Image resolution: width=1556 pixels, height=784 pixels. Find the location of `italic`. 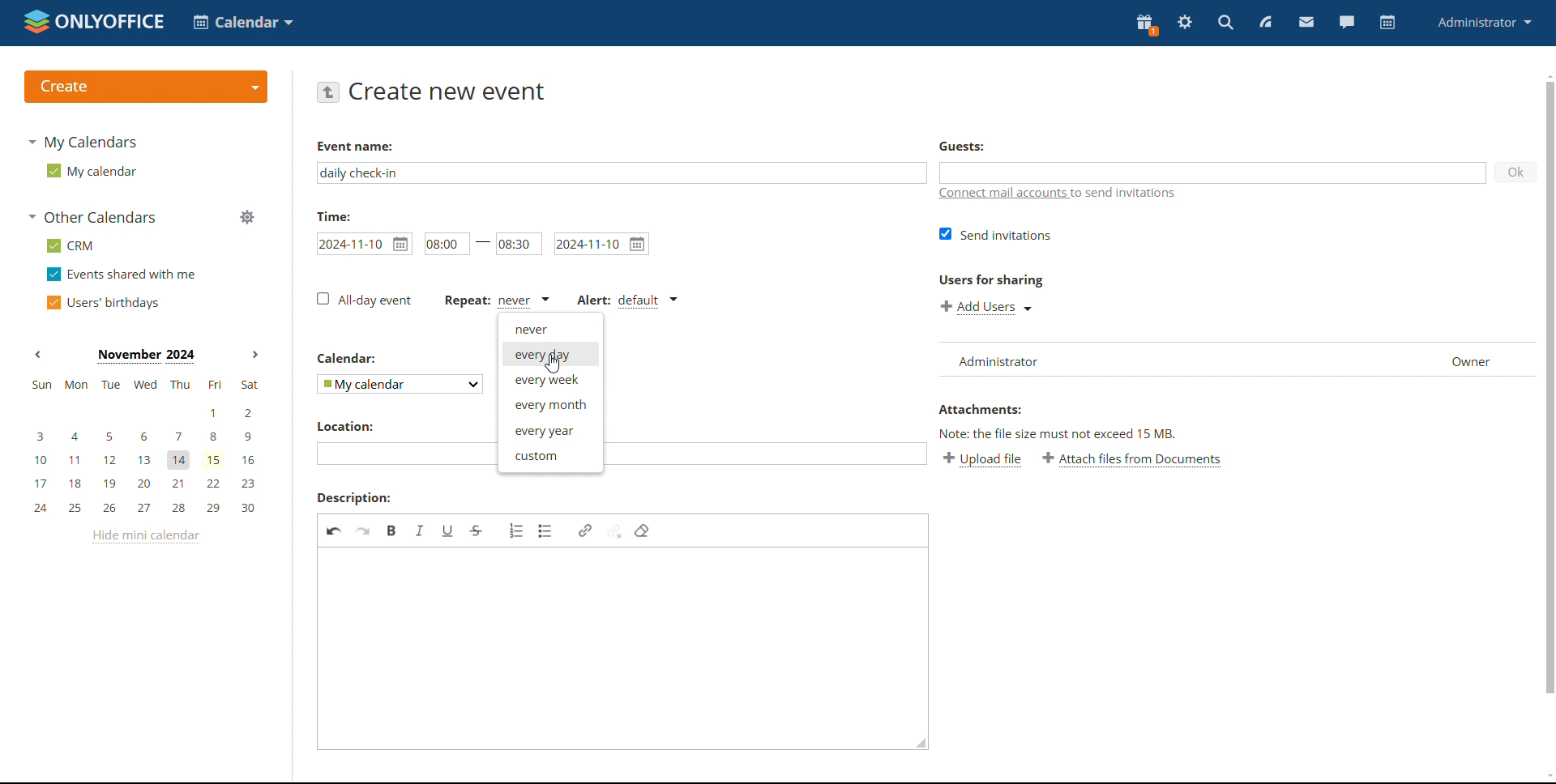

italic is located at coordinates (419, 530).